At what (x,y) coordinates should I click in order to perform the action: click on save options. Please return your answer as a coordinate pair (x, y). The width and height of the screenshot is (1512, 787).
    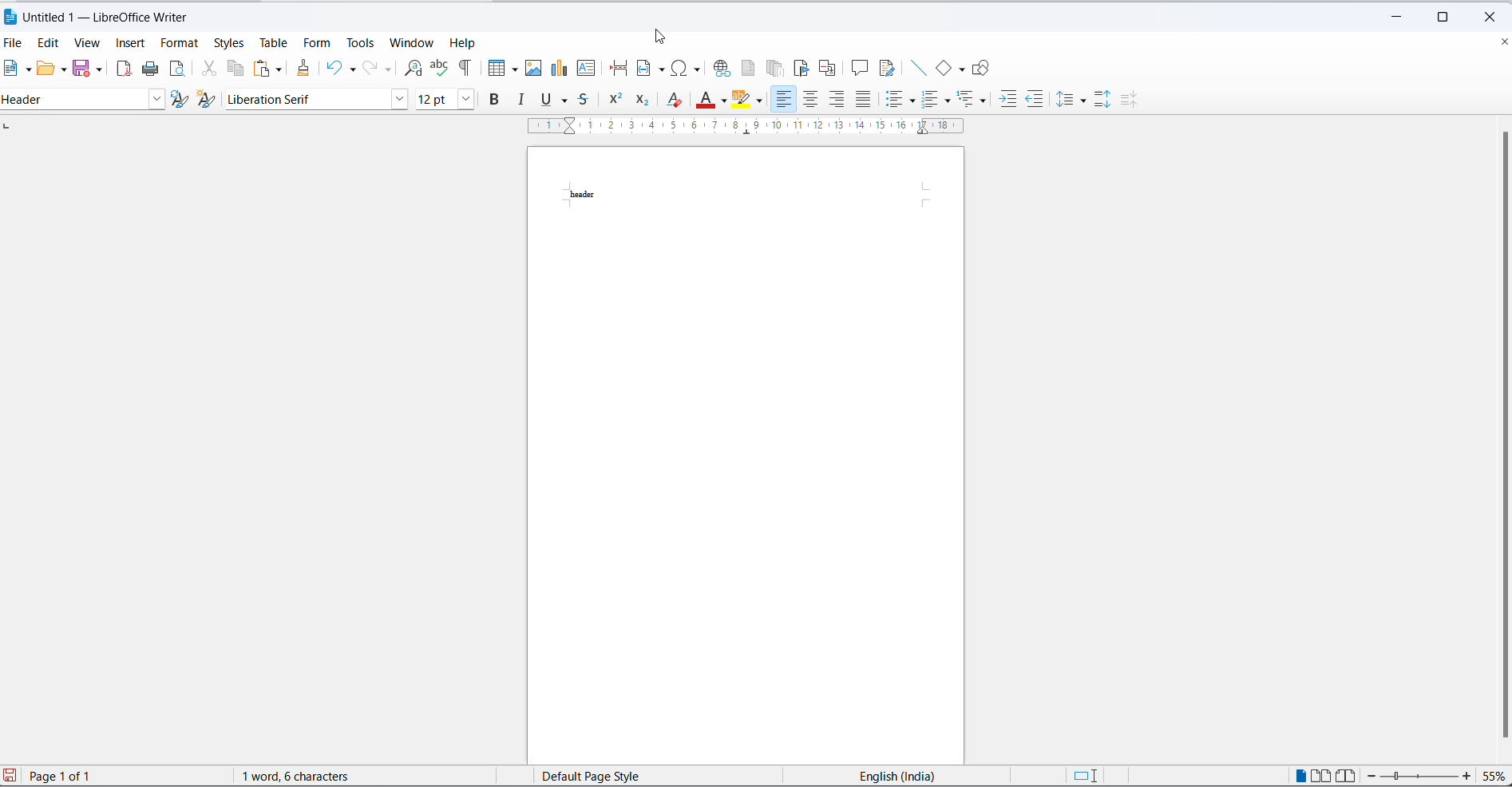
    Looking at the image, I should click on (100, 69).